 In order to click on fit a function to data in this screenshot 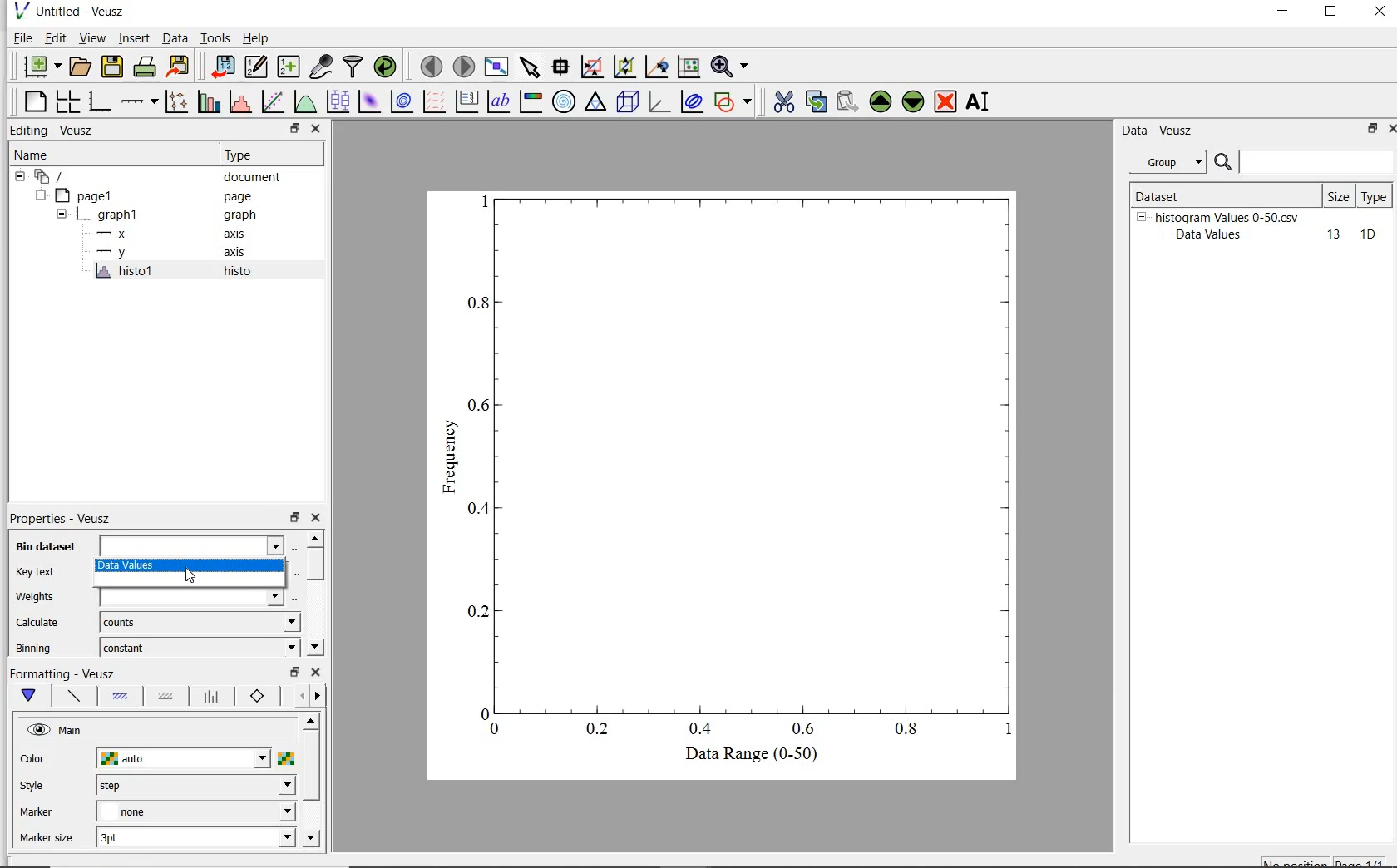, I will do `click(274, 101)`.